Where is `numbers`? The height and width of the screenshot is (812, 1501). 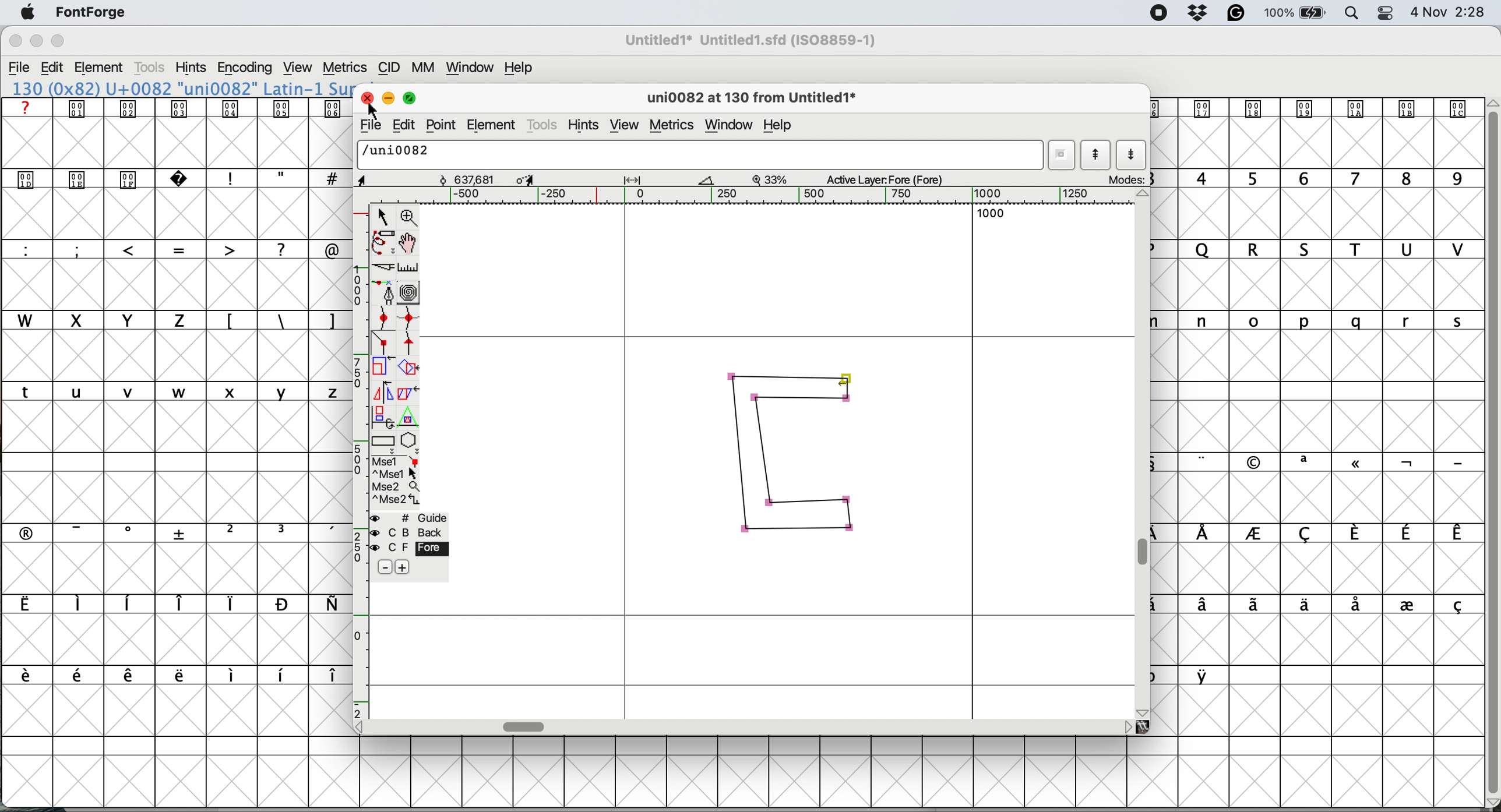 numbers is located at coordinates (1320, 178).